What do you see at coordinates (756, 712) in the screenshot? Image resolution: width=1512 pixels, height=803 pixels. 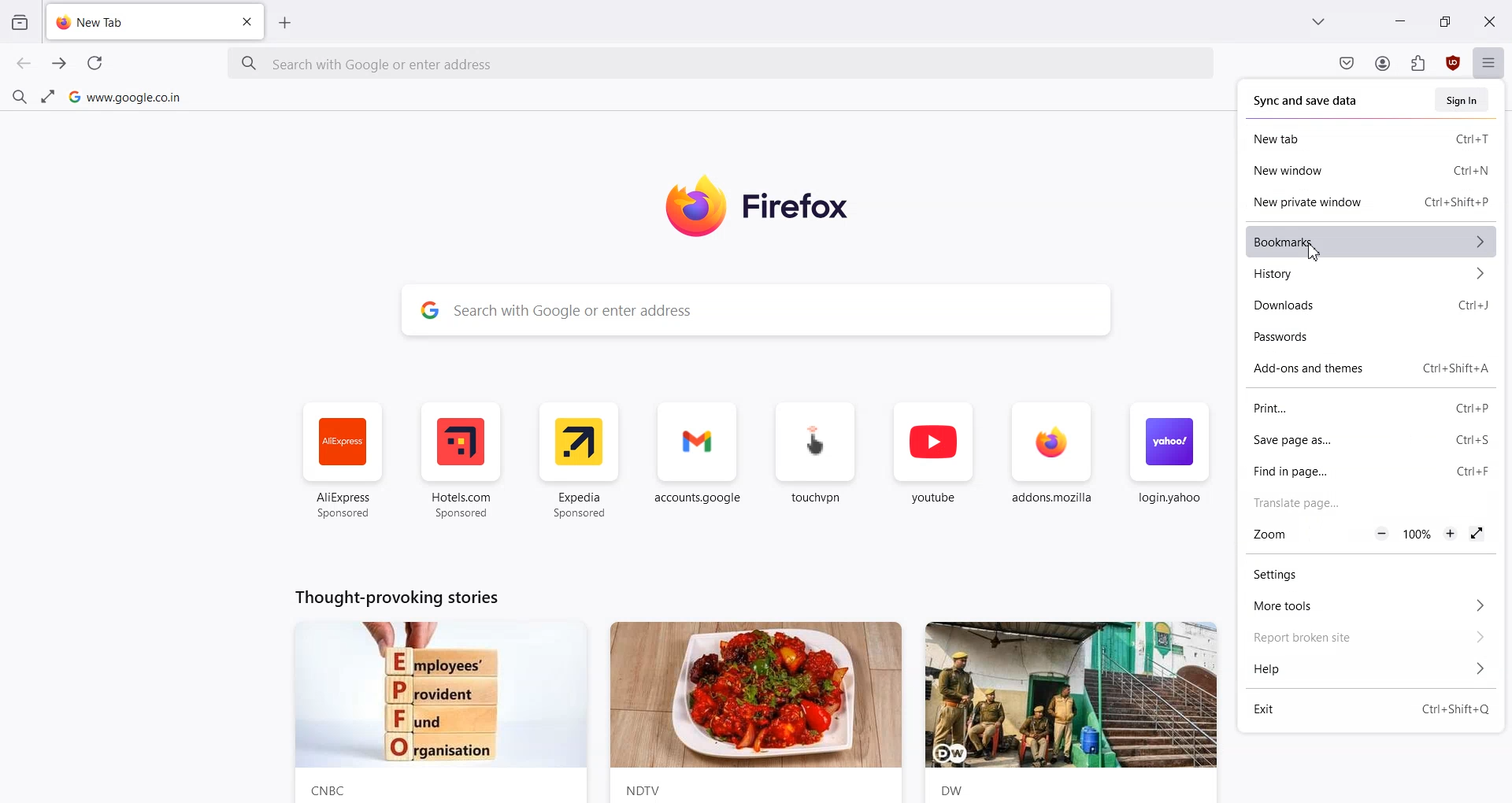 I see `News` at bounding box center [756, 712].